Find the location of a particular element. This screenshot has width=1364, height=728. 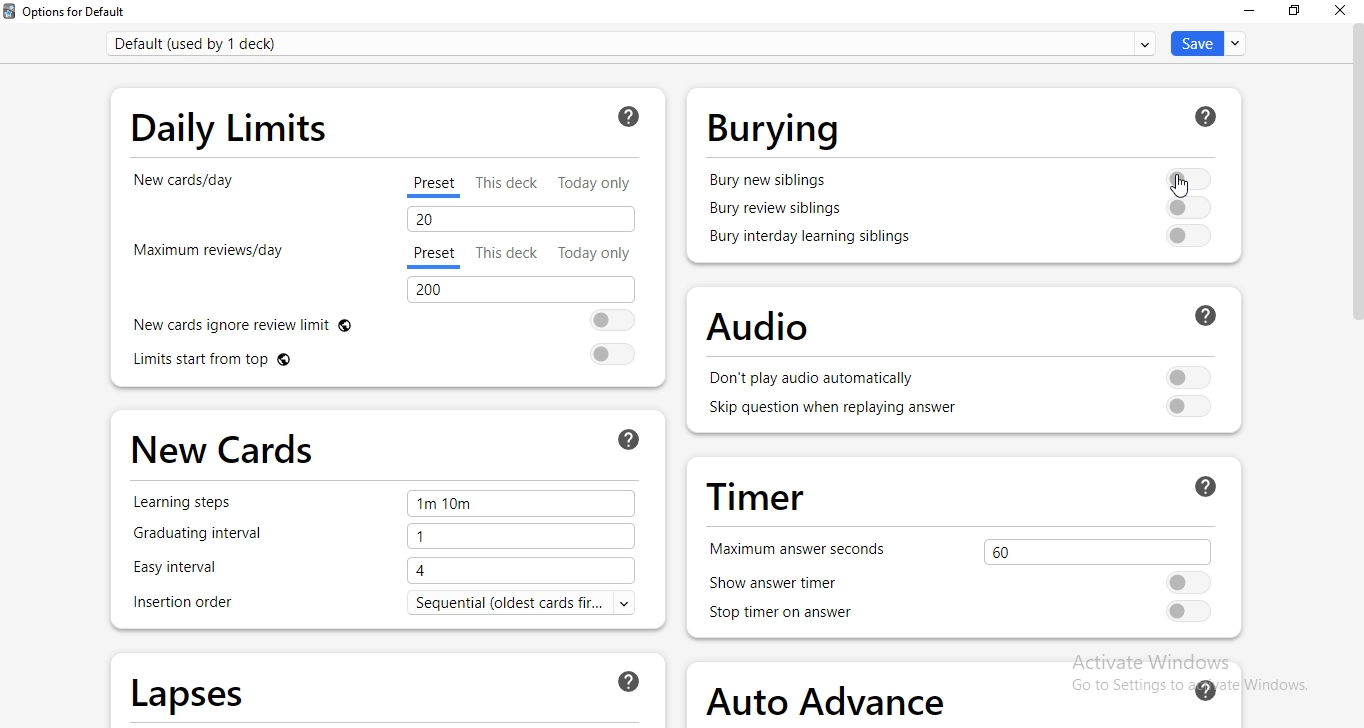

Toggle is located at coordinates (1189, 582).